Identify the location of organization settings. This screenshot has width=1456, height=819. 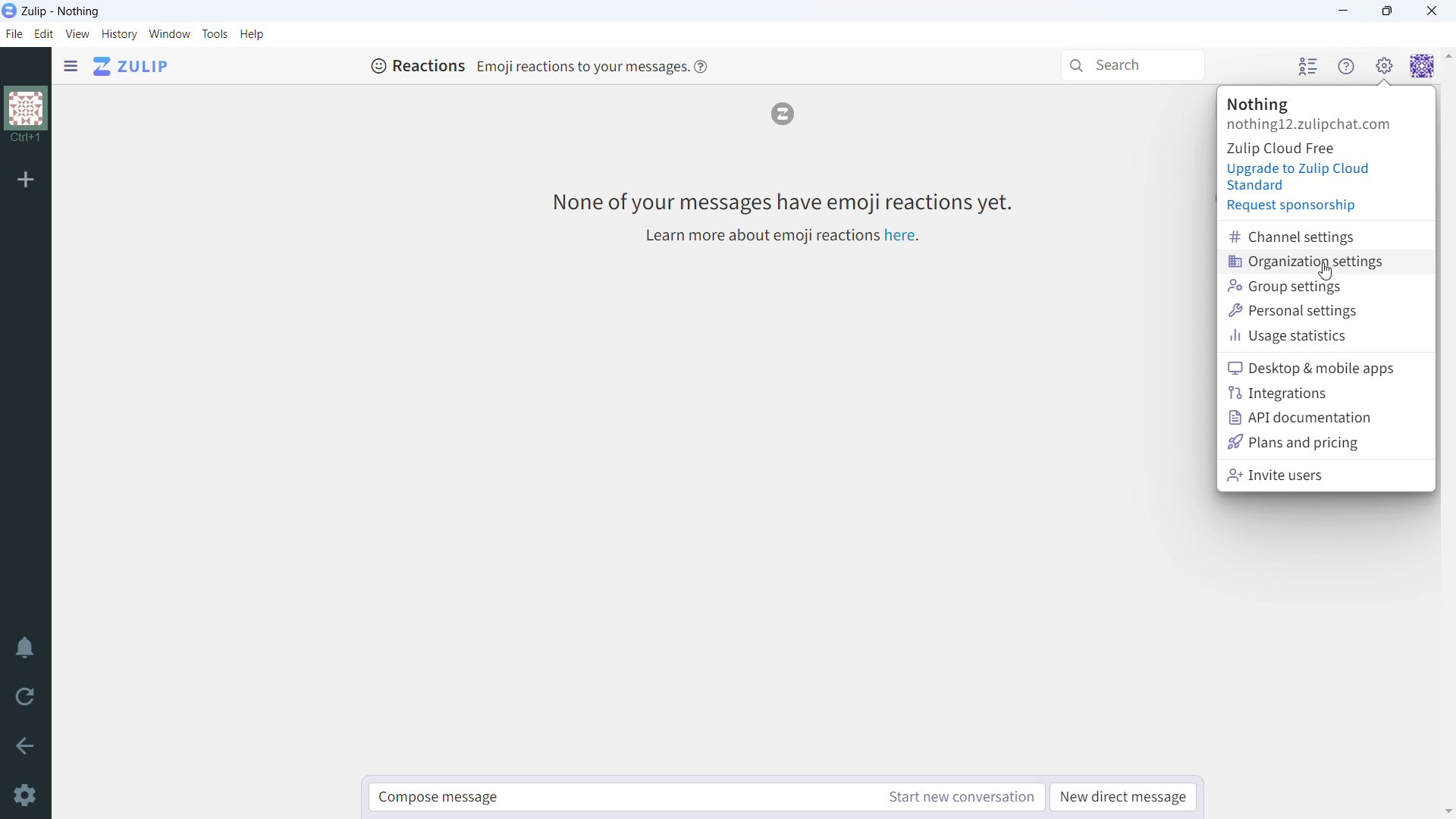
(1326, 262).